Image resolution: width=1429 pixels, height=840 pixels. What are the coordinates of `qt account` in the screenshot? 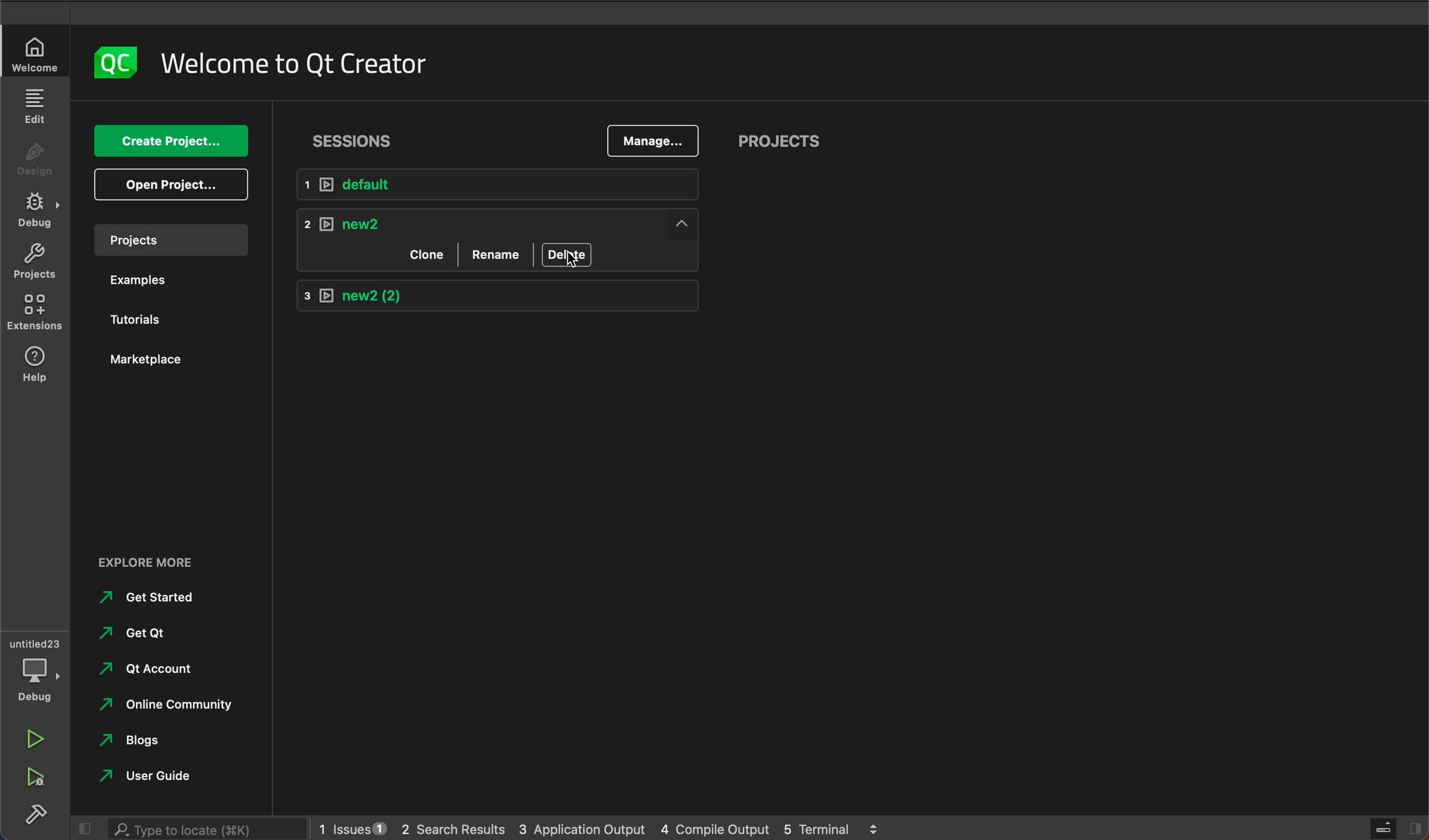 It's located at (146, 671).